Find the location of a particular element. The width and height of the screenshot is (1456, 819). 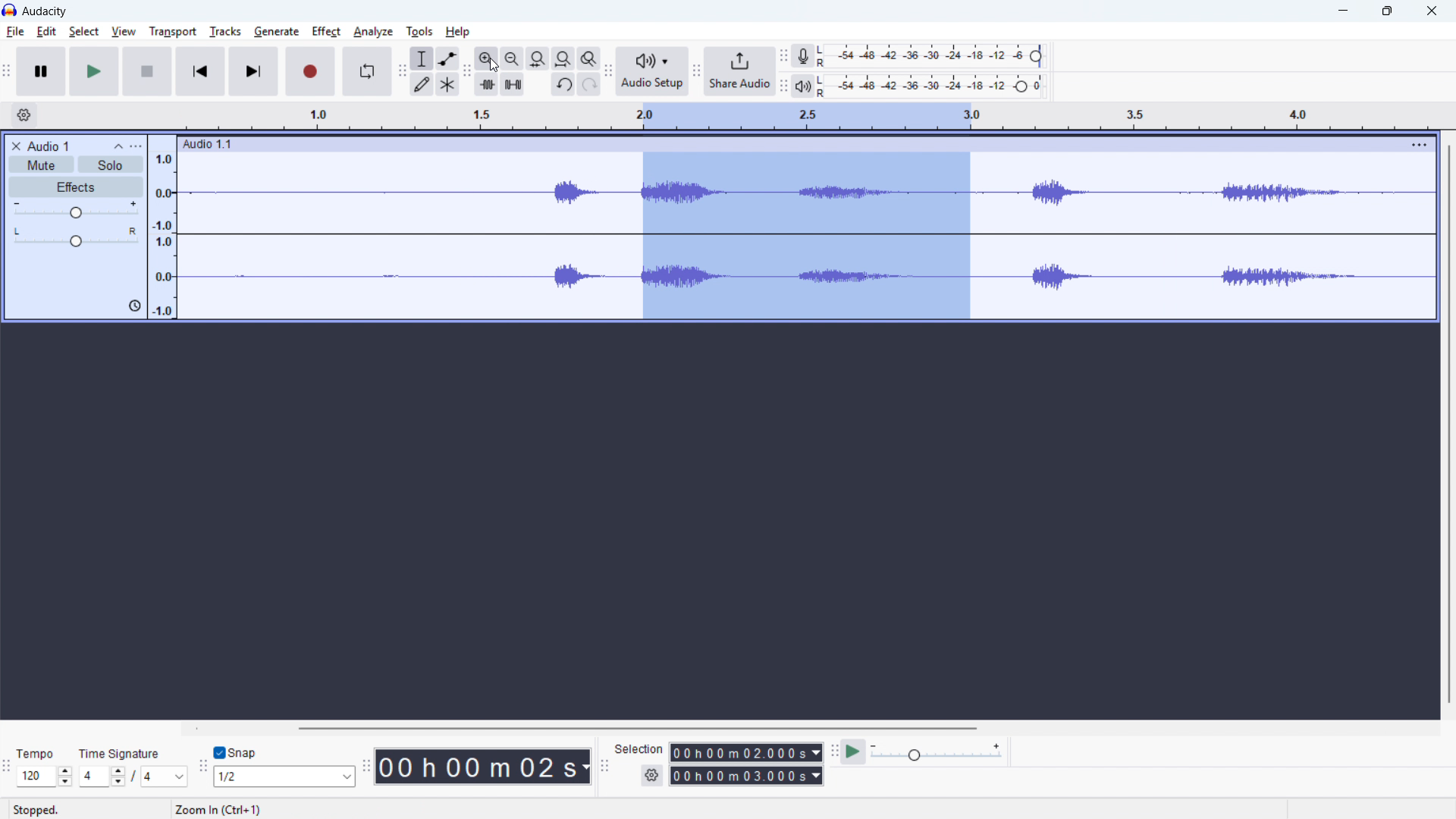

Stopped is located at coordinates (39, 809).